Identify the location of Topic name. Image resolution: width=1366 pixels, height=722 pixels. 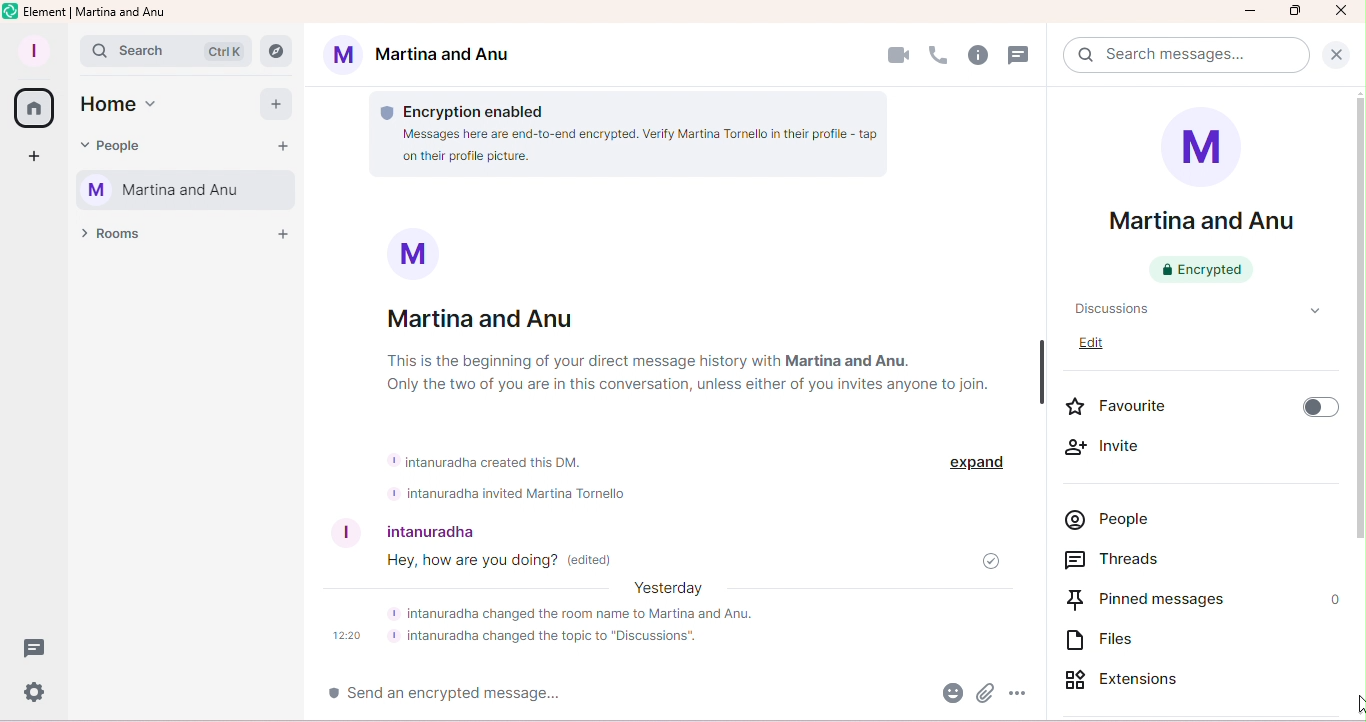
(1188, 309).